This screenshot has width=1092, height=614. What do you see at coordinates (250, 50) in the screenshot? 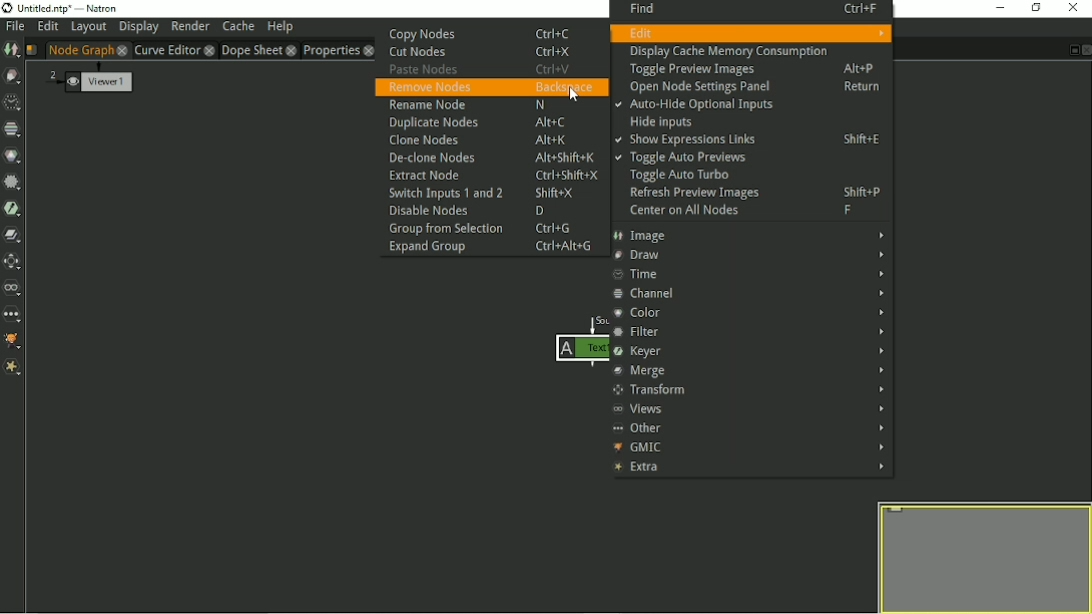
I see `Dope Sheet` at bounding box center [250, 50].